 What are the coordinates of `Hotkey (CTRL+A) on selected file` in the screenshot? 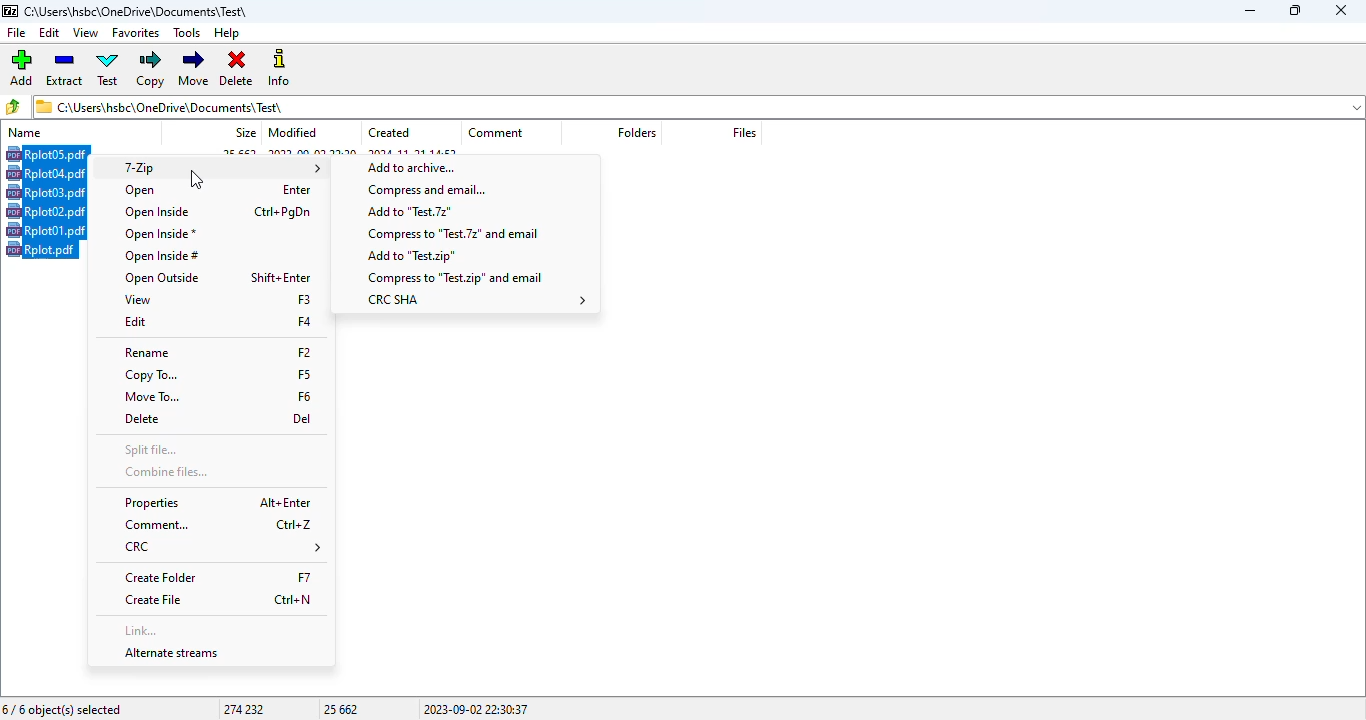 It's located at (48, 154).